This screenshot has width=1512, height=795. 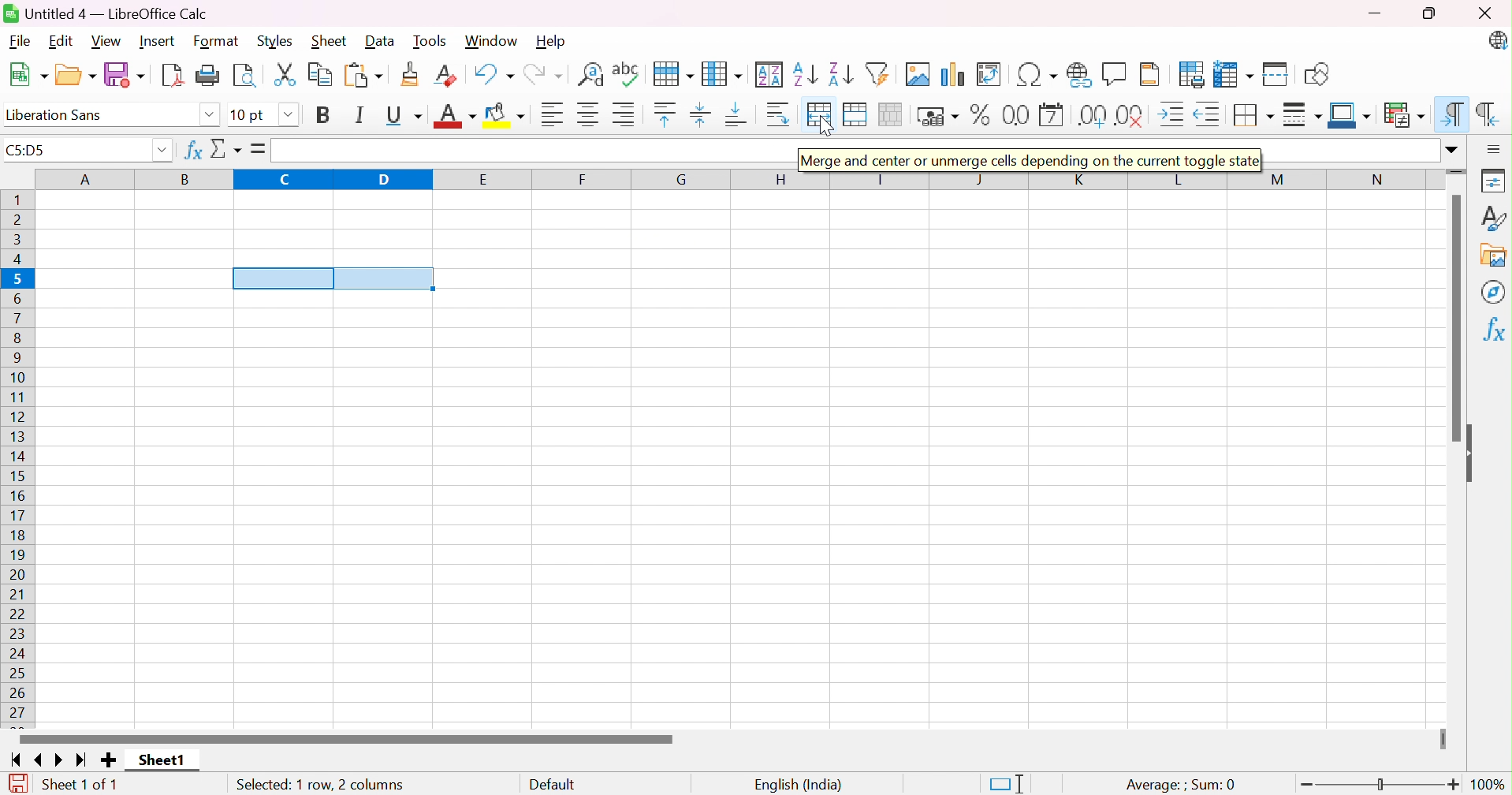 What do you see at coordinates (162, 151) in the screenshot?
I see `Drop Down` at bounding box center [162, 151].